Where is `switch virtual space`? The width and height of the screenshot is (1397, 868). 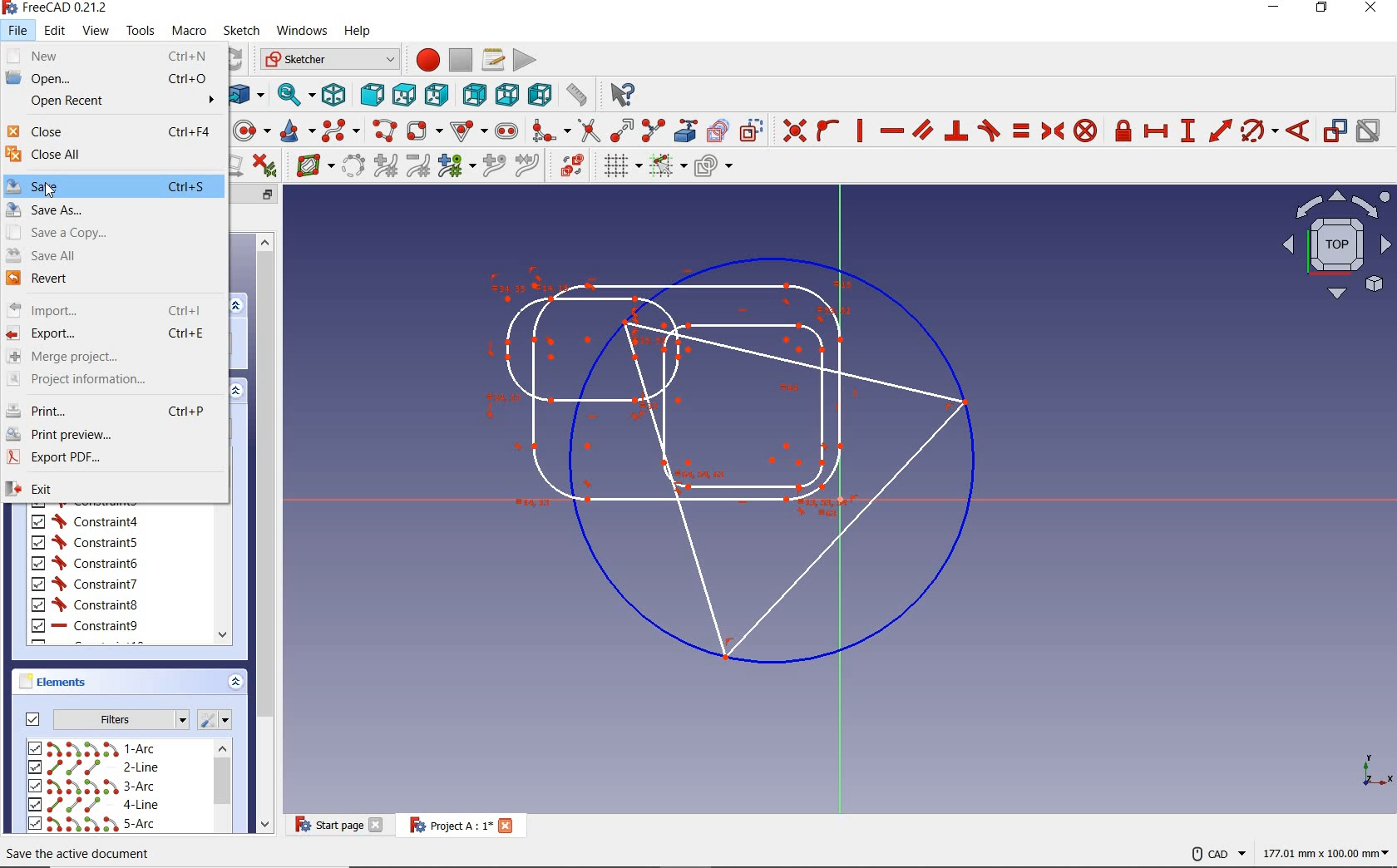 switch virtual space is located at coordinates (565, 165).